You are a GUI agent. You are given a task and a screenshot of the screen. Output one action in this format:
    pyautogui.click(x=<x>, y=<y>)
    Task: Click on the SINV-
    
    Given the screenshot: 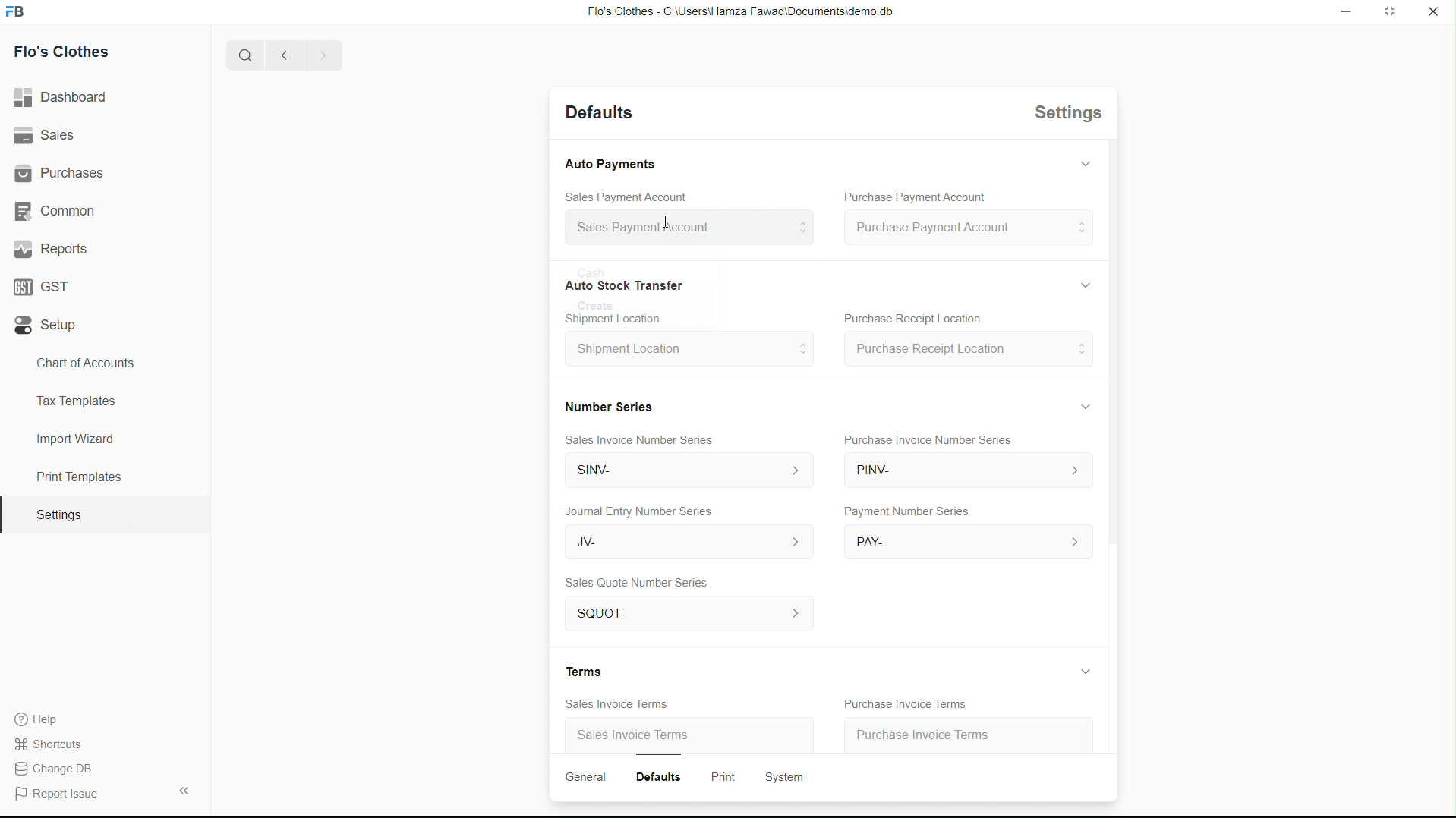 What is the action you would take?
    pyautogui.click(x=682, y=471)
    